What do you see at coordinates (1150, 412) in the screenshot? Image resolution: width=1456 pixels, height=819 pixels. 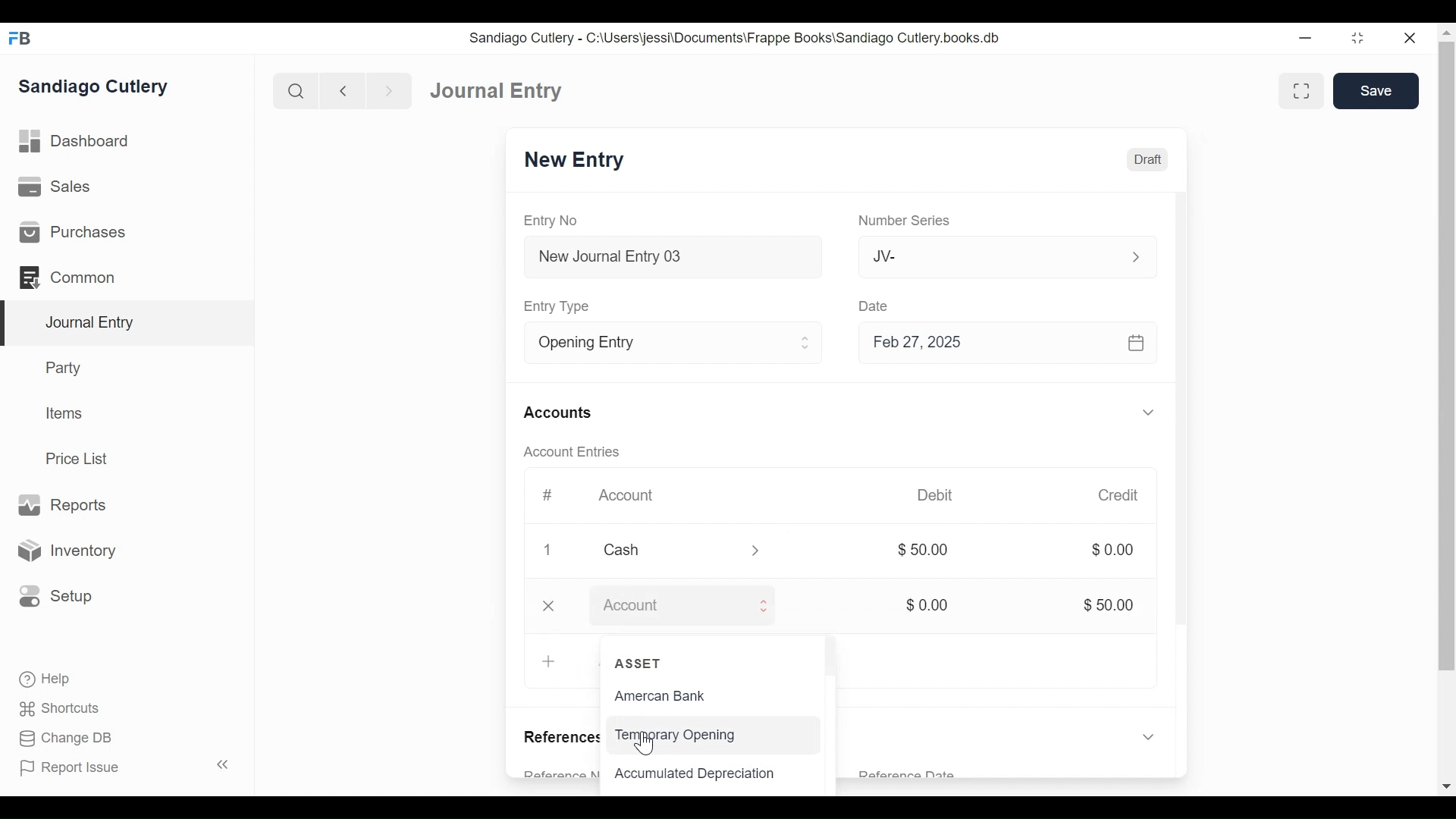 I see `Expand` at bounding box center [1150, 412].